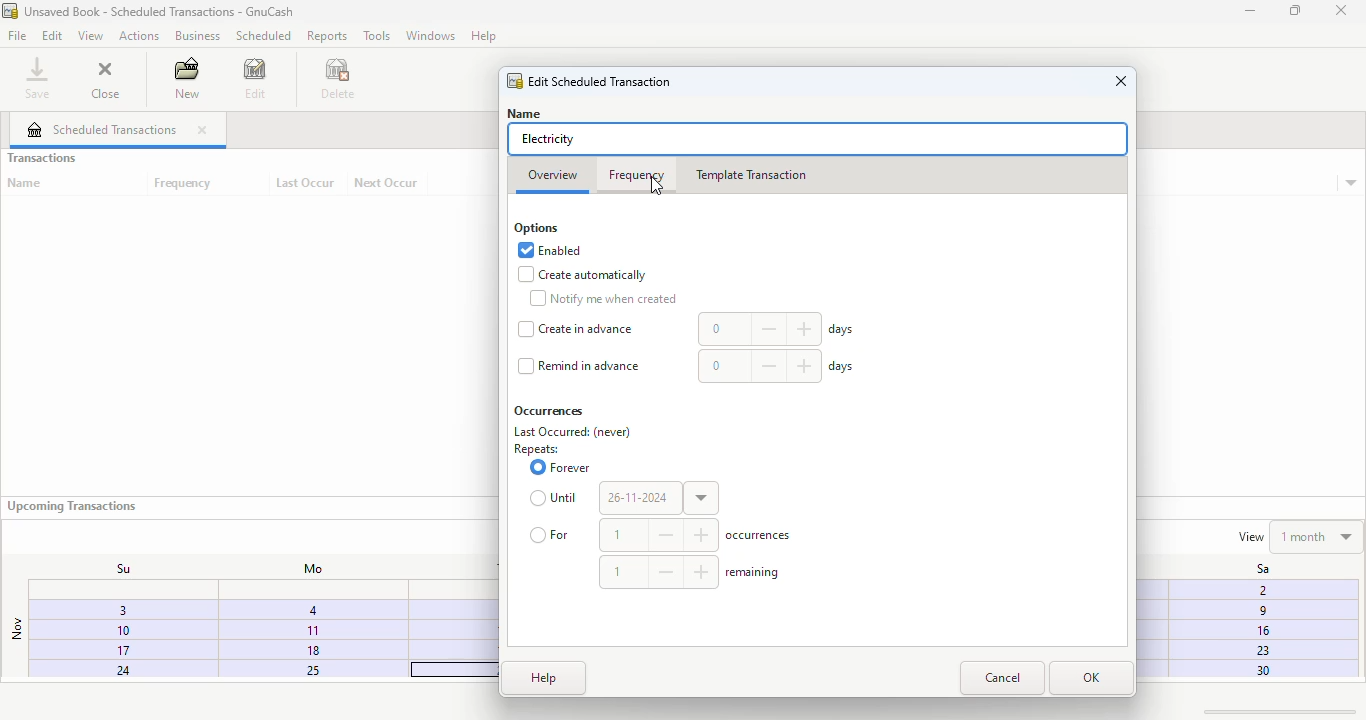 This screenshot has height=720, width=1366. Describe the element at coordinates (186, 77) in the screenshot. I see `new` at that location.